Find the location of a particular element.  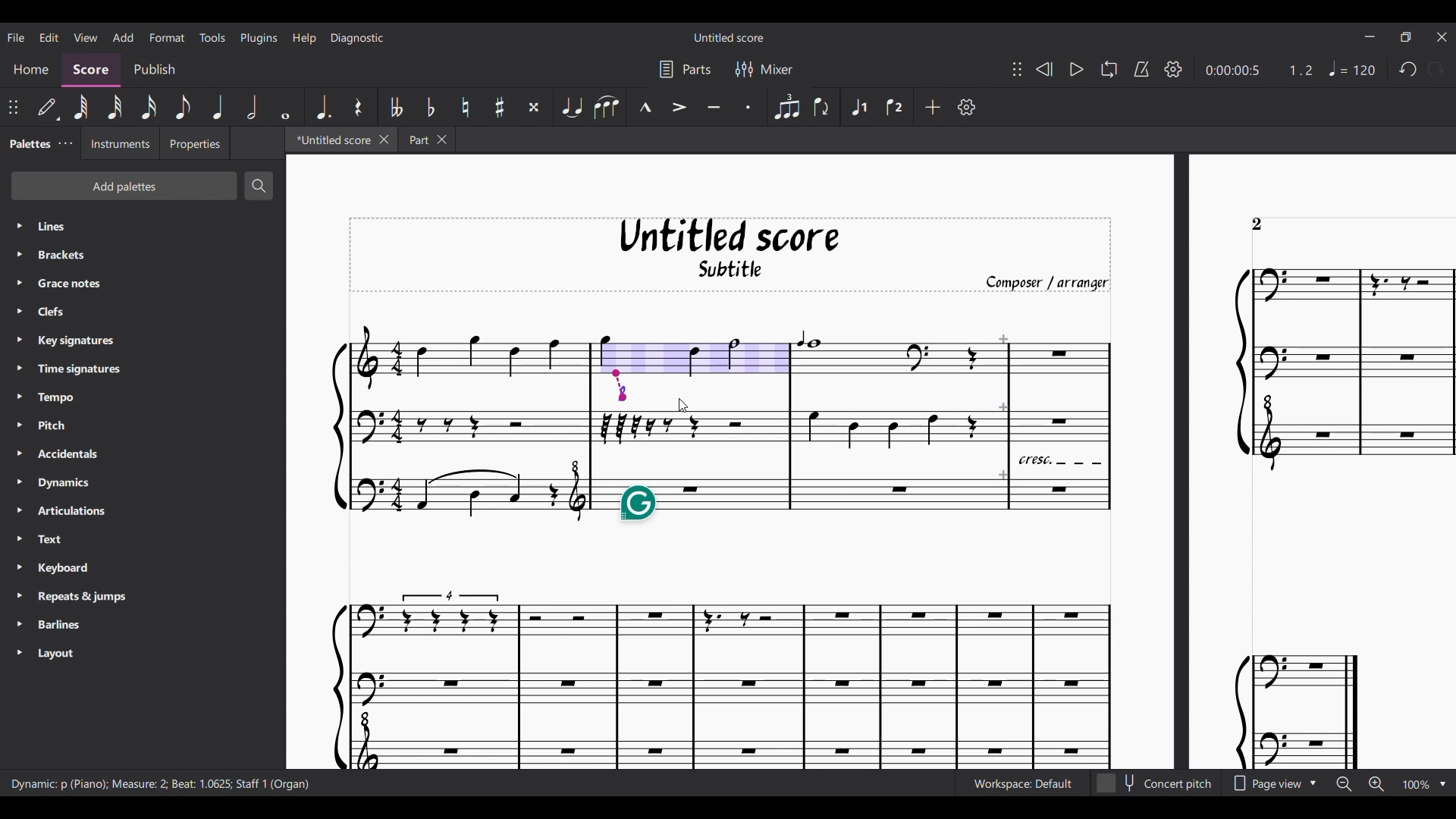

Close current tab is located at coordinates (384, 140).